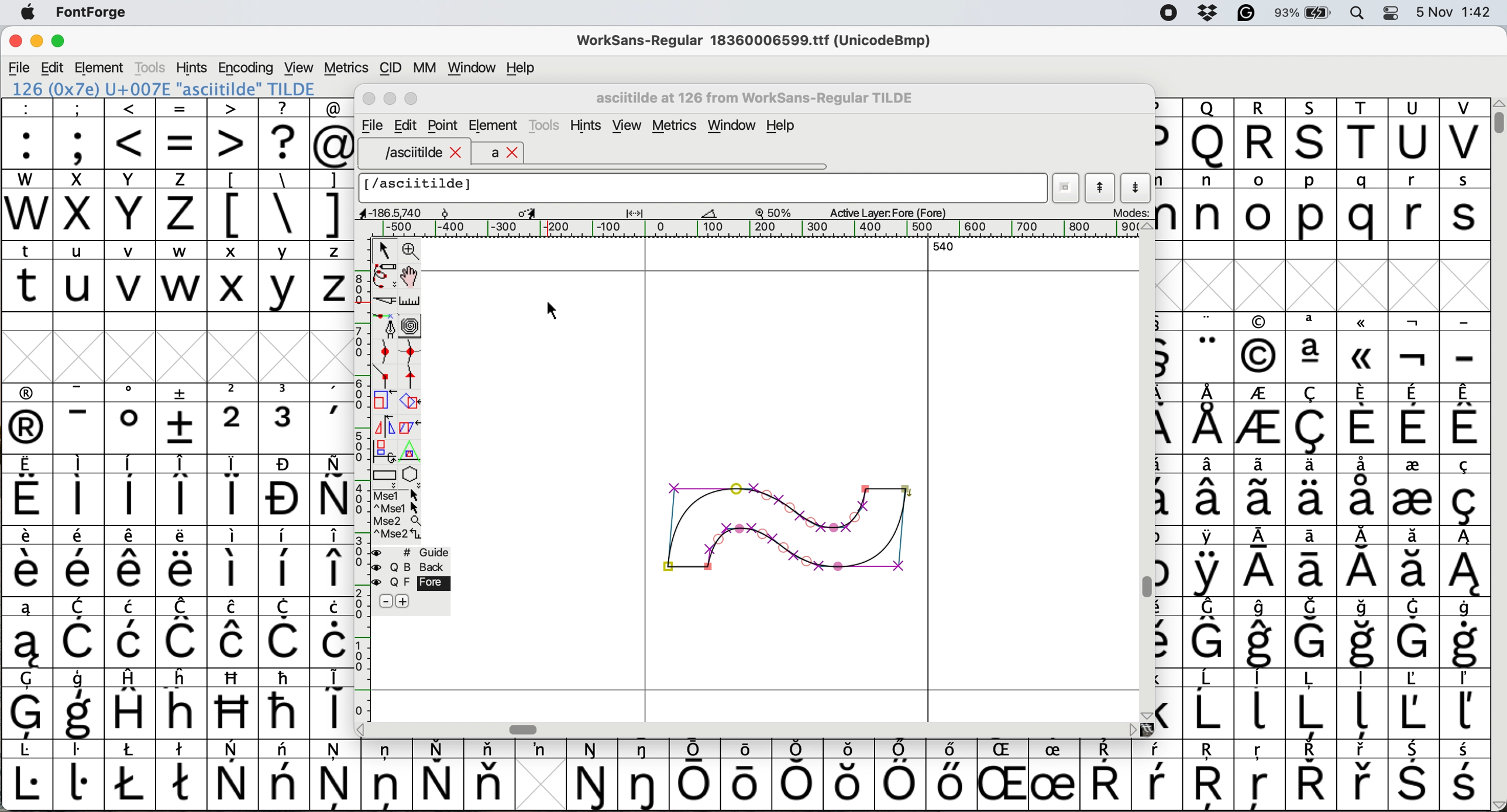 The width and height of the screenshot is (1507, 812). What do you see at coordinates (282, 277) in the screenshot?
I see `y` at bounding box center [282, 277].